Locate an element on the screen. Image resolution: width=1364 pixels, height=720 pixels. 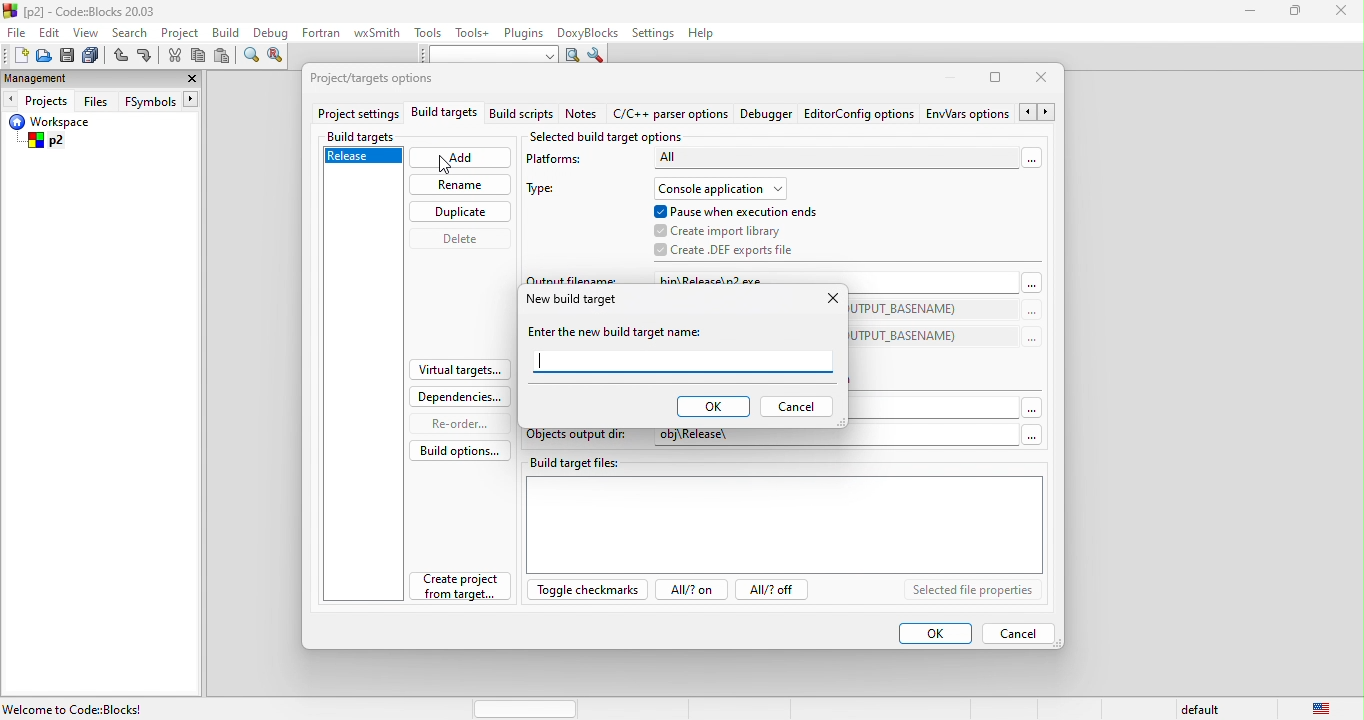
search is located at coordinates (131, 32).